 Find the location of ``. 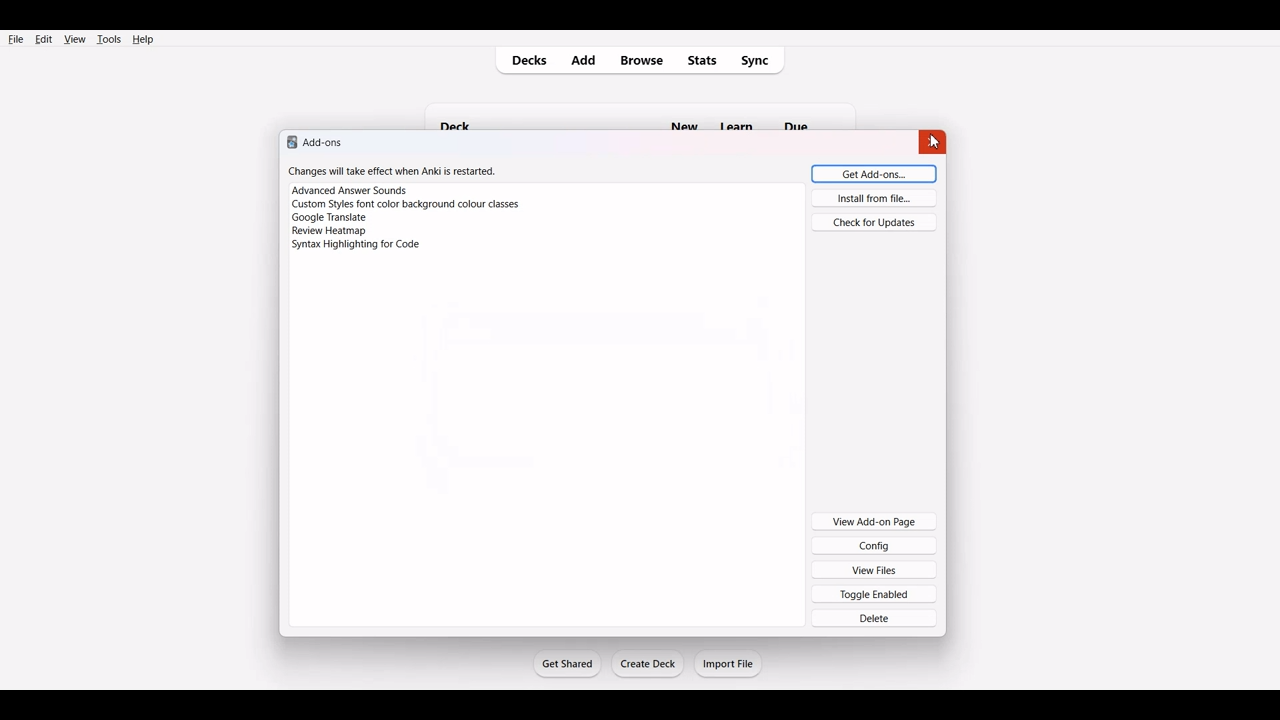

 is located at coordinates (808, 115).